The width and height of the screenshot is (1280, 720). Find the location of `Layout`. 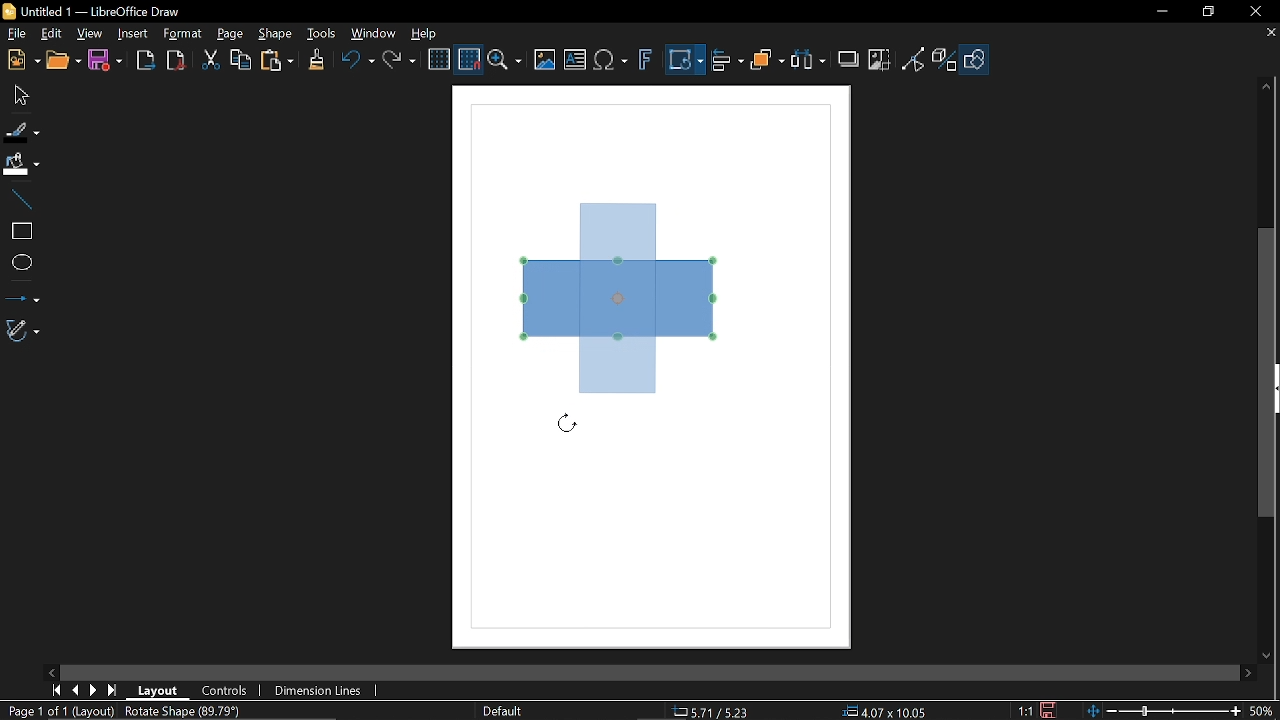

Layout is located at coordinates (158, 689).